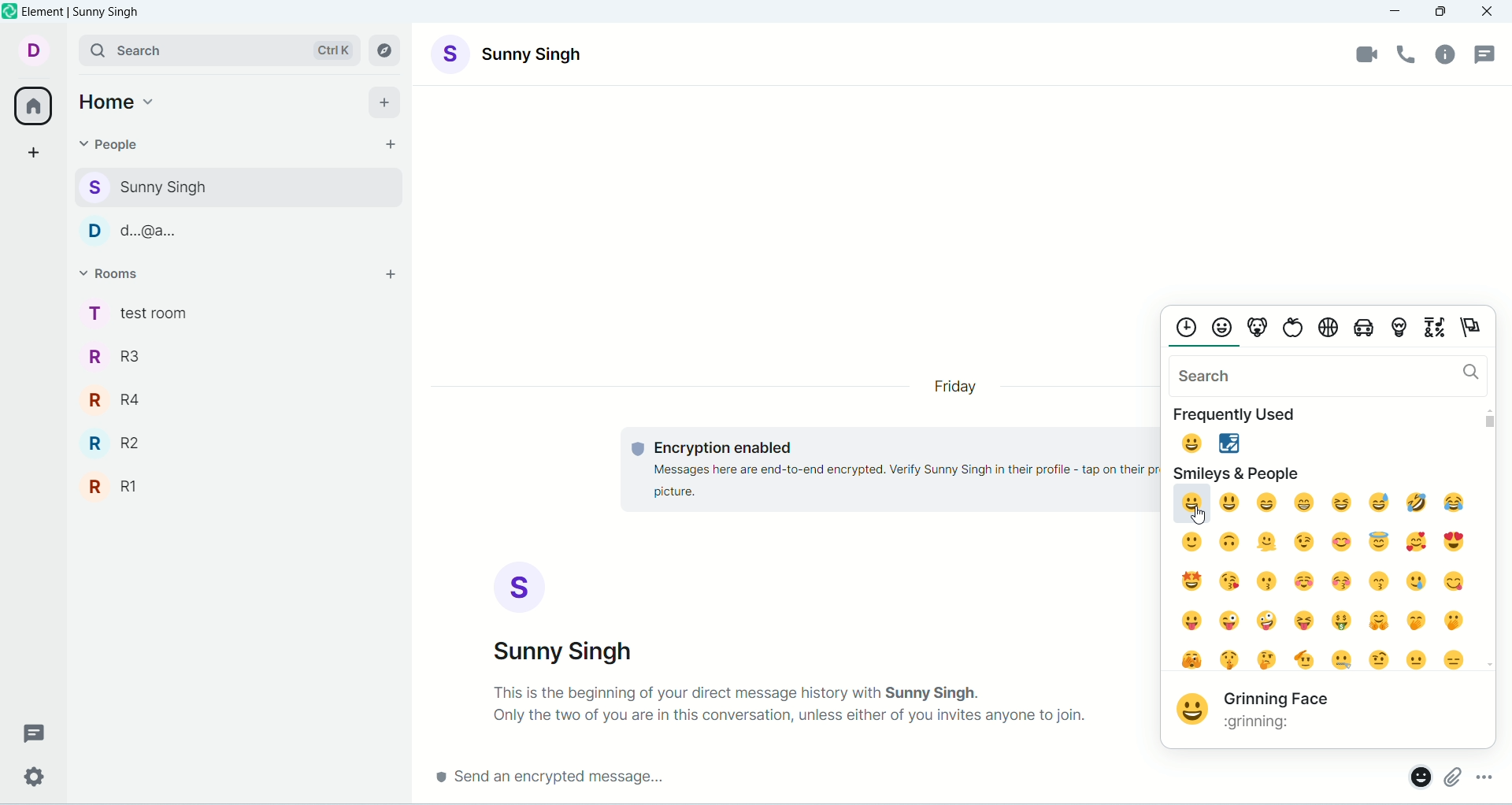 The height and width of the screenshot is (805, 1512). What do you see at coordinates (1442, 10) in the screenshot?
I see `maximize` at bounding box center [1442, 10].